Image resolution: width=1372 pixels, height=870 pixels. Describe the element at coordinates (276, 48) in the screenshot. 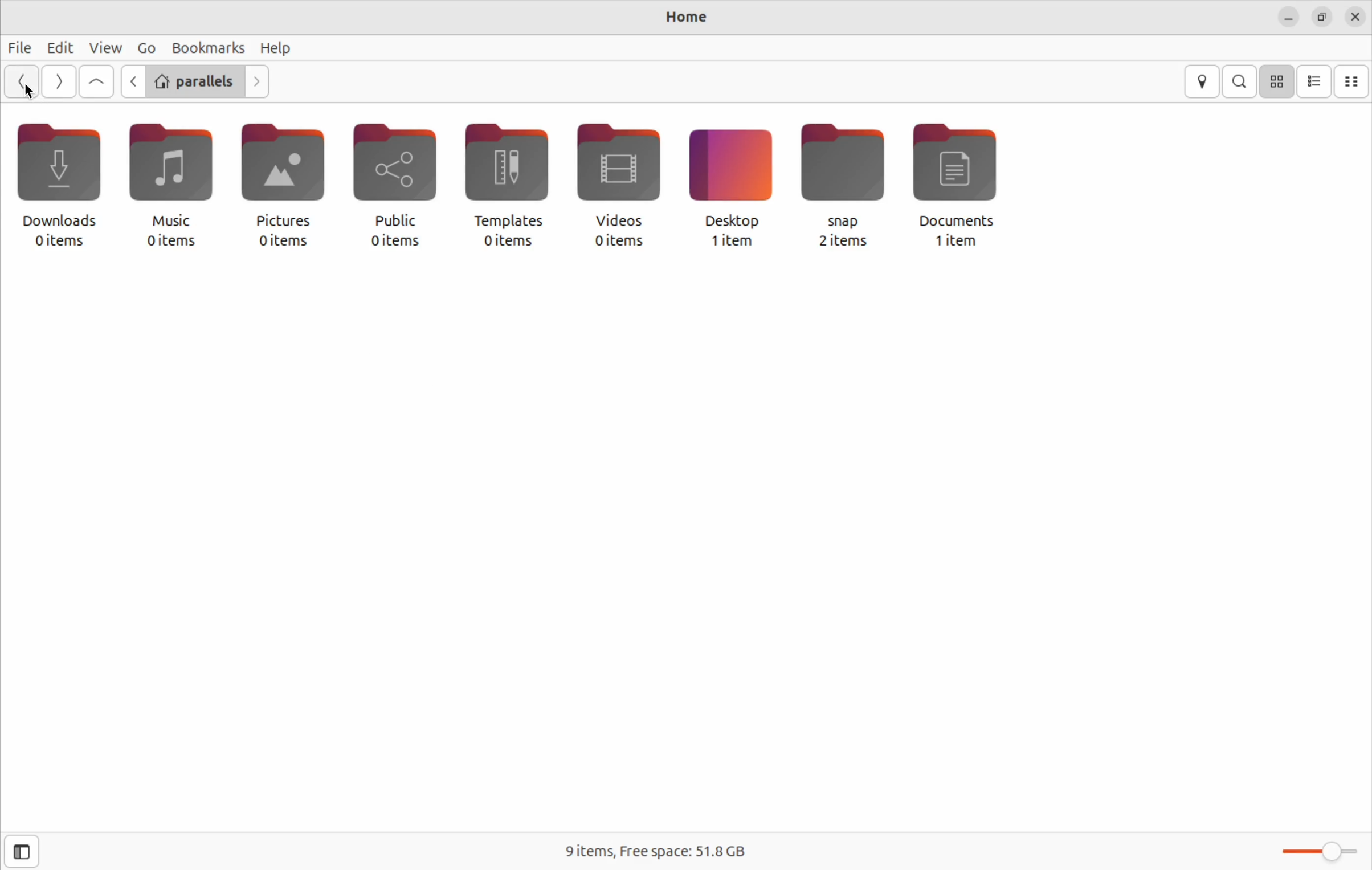

I see `help` at that location.